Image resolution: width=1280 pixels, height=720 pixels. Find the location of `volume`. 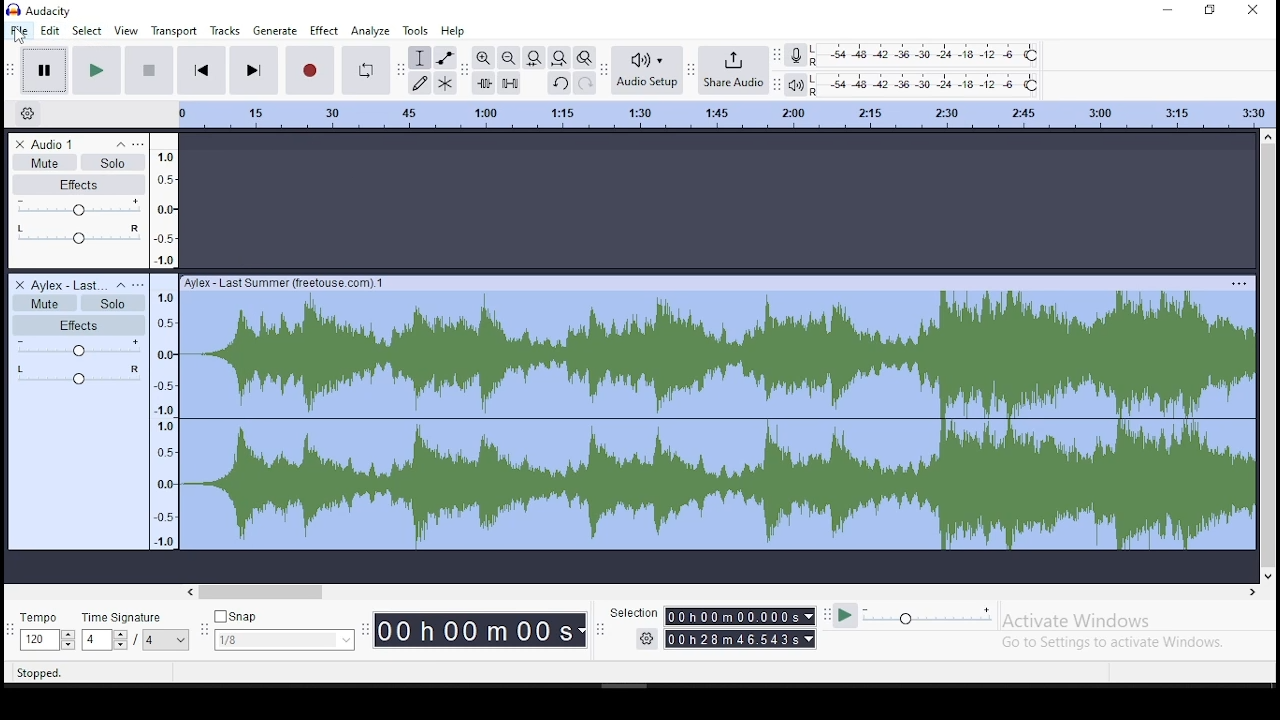

volume is located at coordinates (80, 206).